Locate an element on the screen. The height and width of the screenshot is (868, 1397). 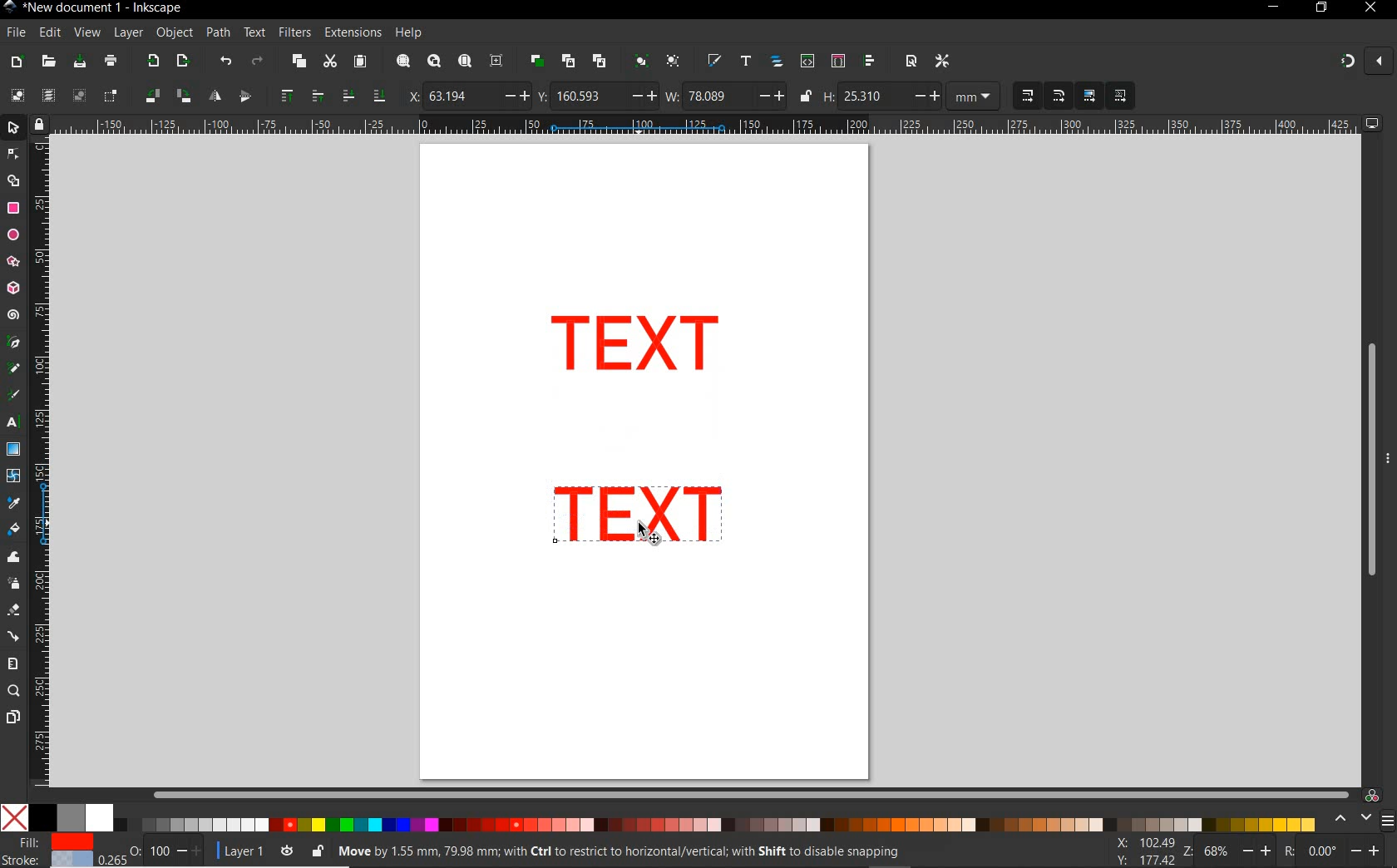
More  is located at coordinates (1388, 465).